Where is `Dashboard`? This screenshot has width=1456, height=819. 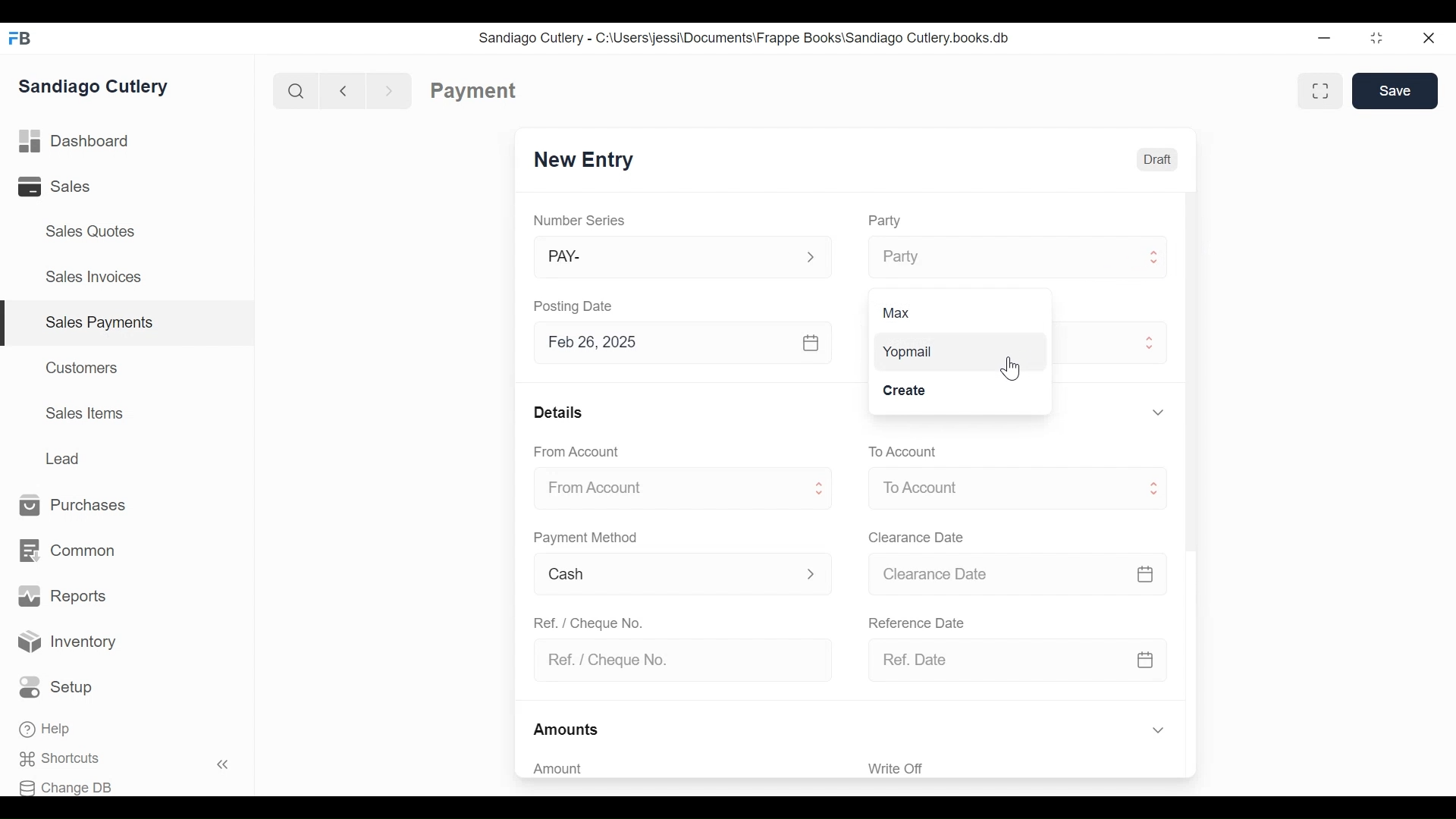
Dashboard is located at coordinates (74, 142).